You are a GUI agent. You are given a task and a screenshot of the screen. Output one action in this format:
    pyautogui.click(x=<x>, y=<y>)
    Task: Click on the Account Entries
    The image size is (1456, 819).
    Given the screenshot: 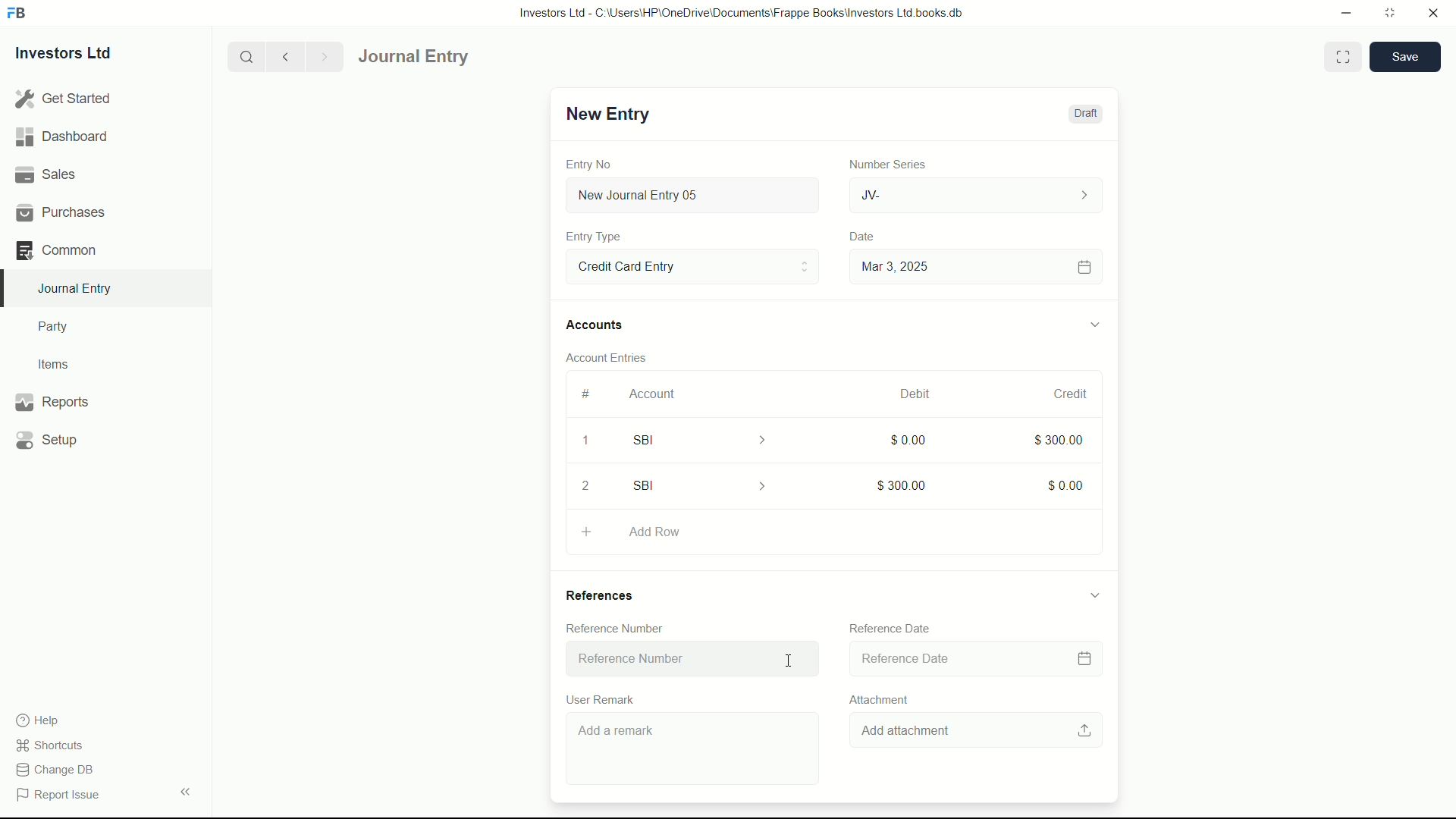 What is the action you would take?
    pyautogui.click(x=613, y=355)
    